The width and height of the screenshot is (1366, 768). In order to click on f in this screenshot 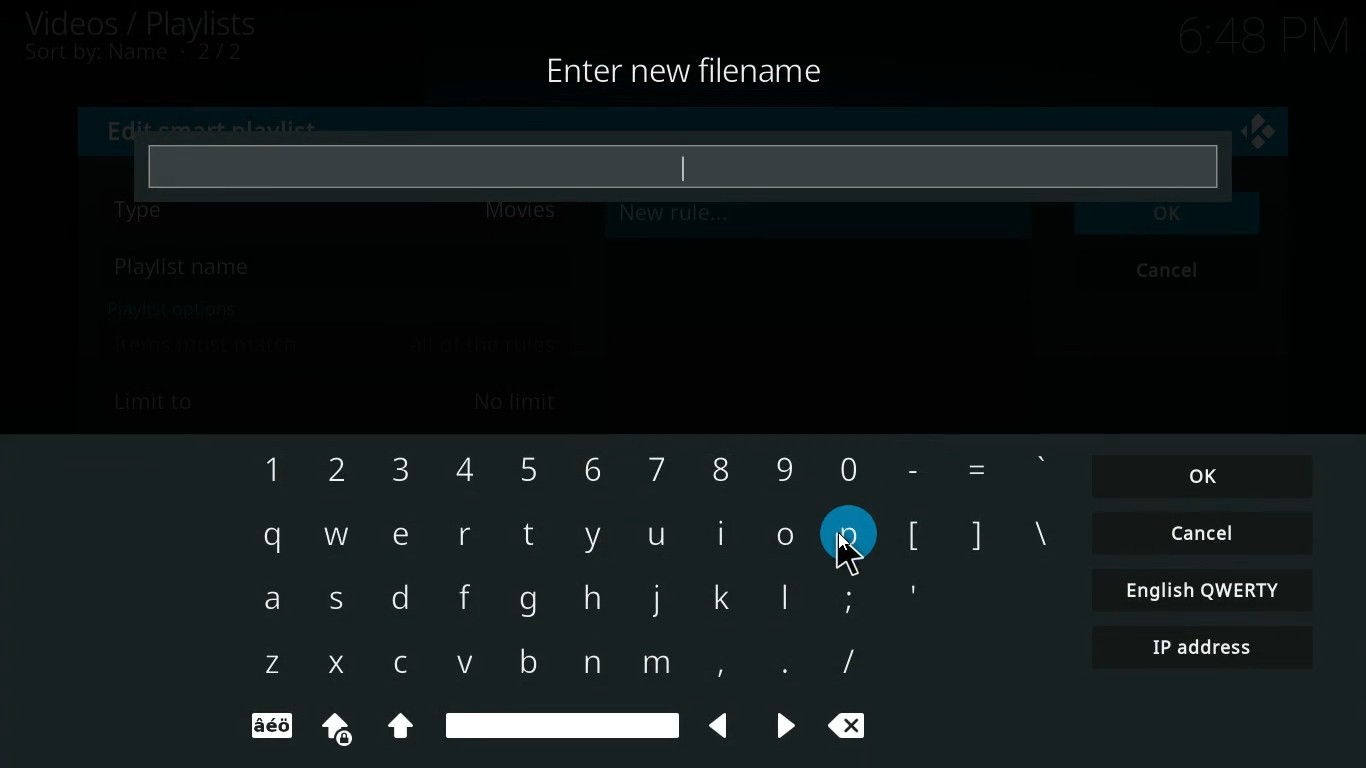, I will do `click(457, 600)`.